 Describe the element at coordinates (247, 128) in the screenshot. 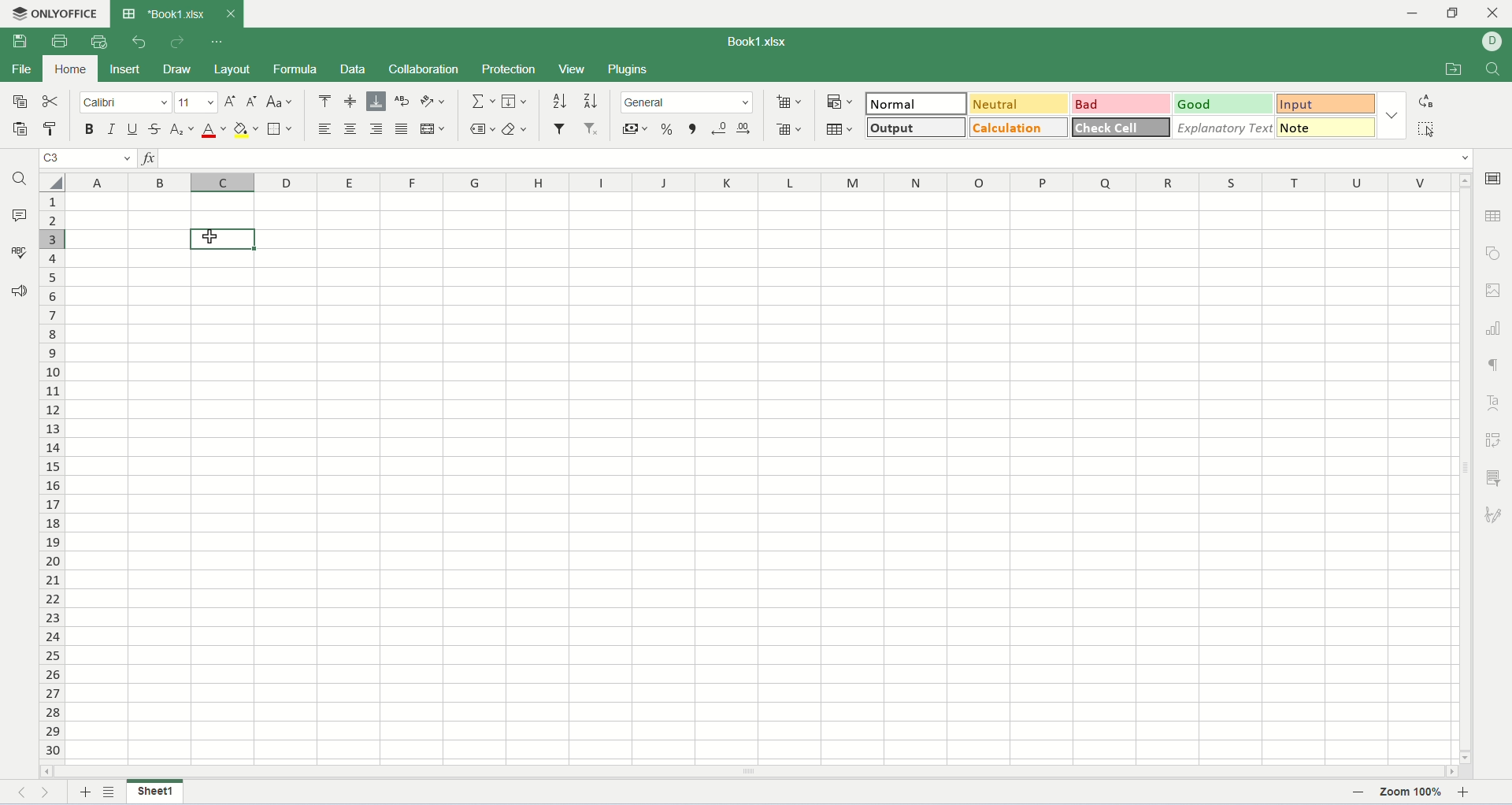

I see `backgroun color` at that location.